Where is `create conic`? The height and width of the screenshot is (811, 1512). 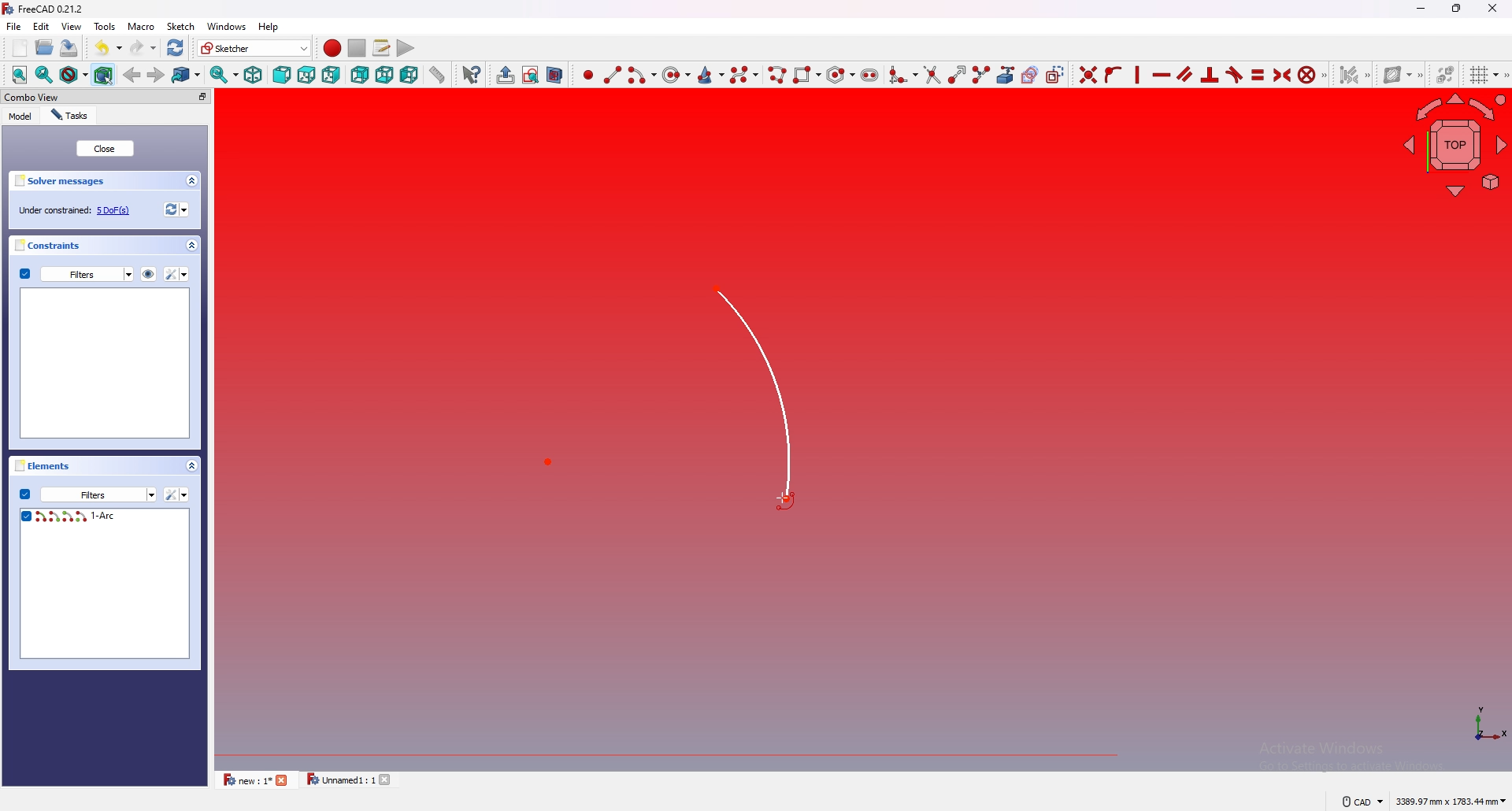
create conic is located at coordinates (710, 74).